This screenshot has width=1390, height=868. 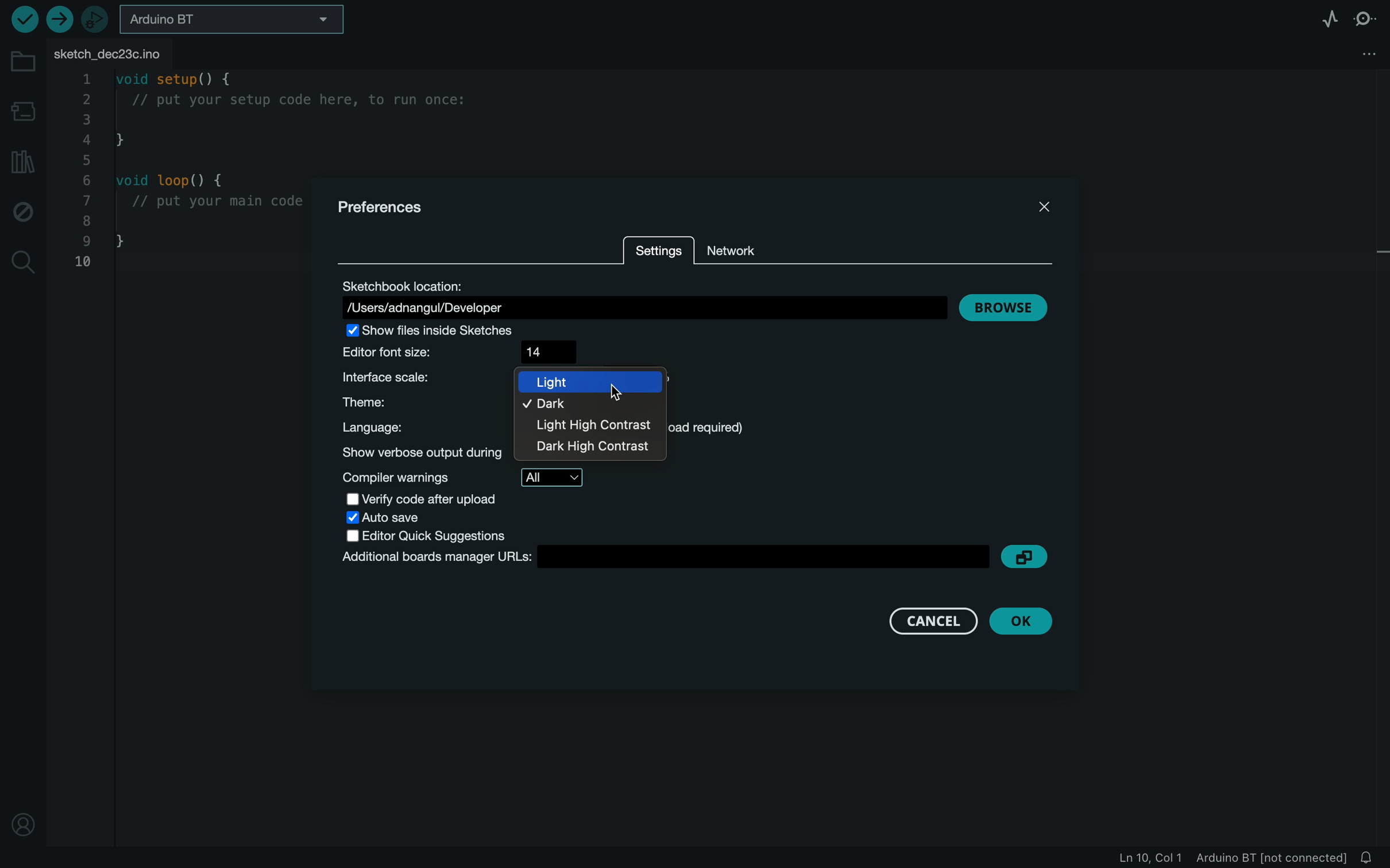 I want to click on show output, so click(x=423, y=452).